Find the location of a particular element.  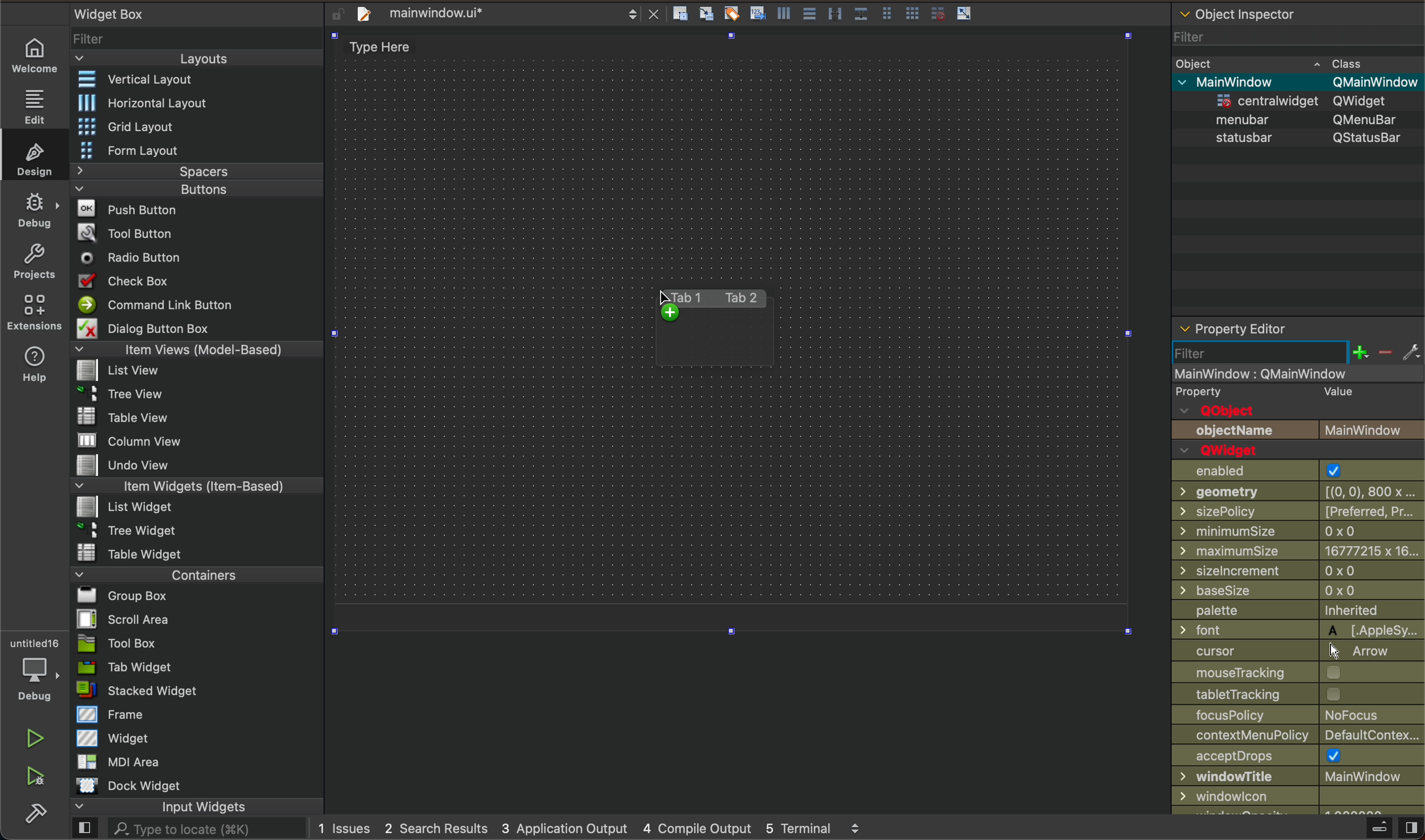

min size is located at coordinates (1299, 532).